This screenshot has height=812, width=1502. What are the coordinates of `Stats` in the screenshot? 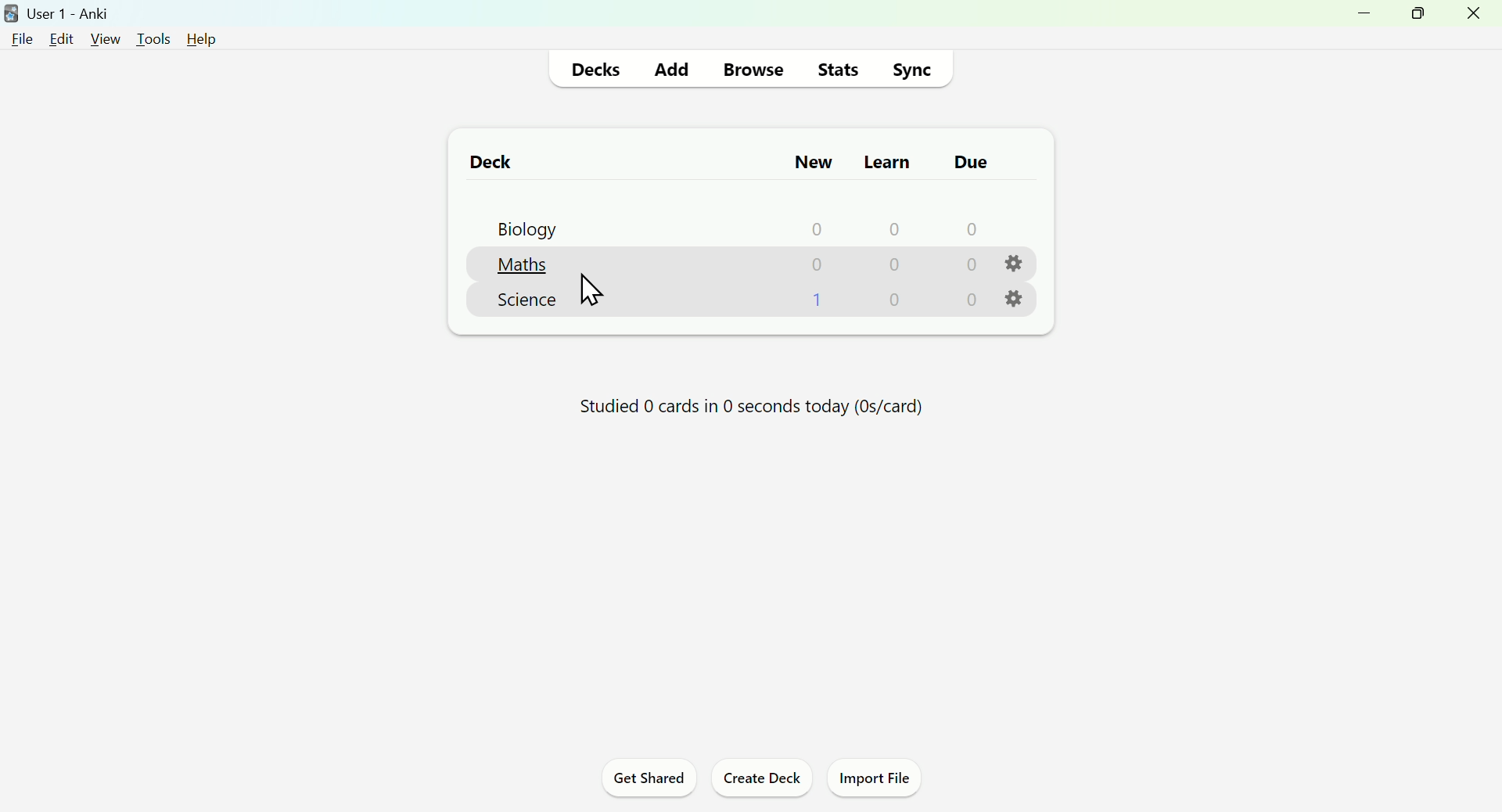 It's located at (835, 68).